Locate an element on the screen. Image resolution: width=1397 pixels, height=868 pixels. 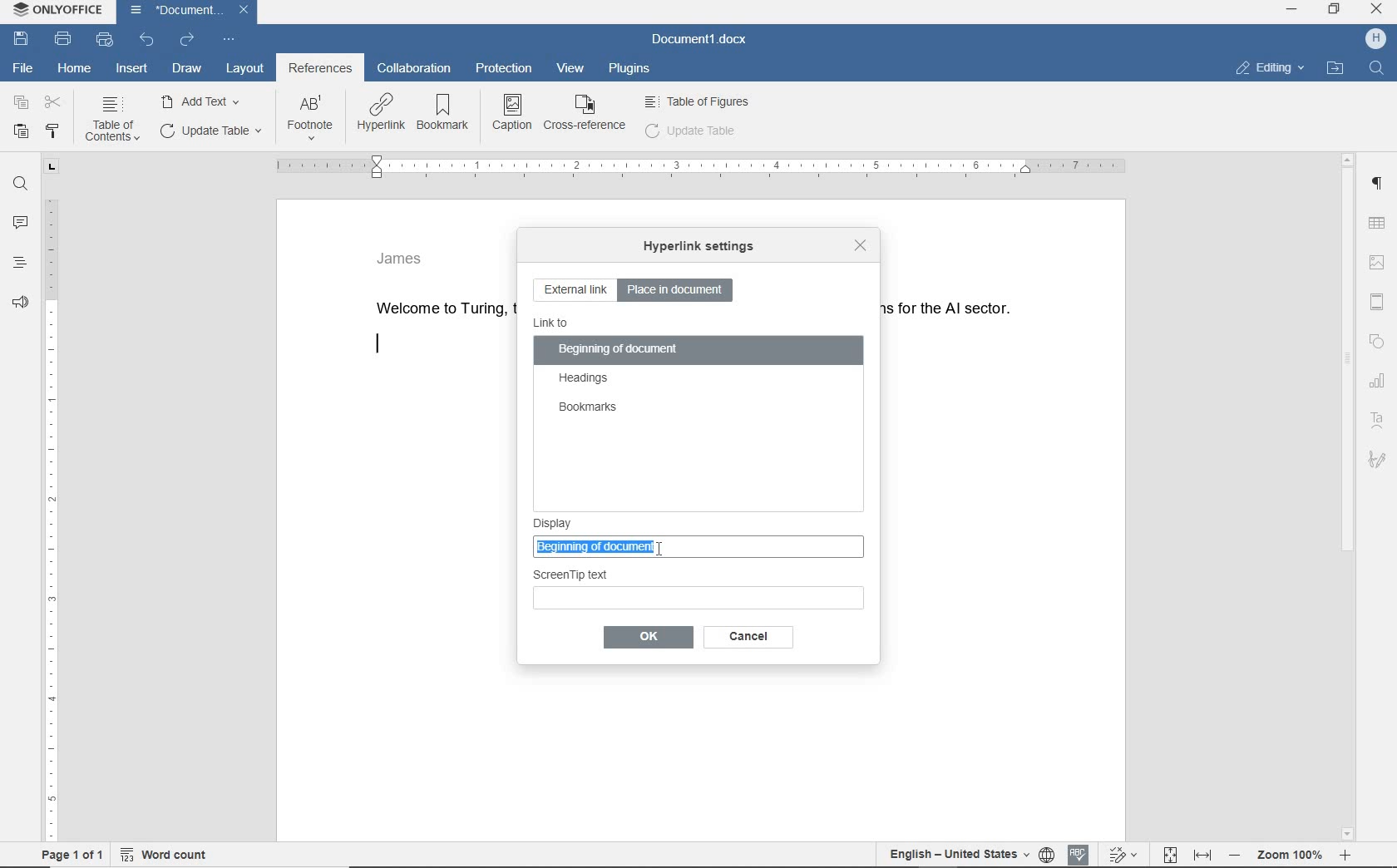
document name is located at coordinates (699, 39).